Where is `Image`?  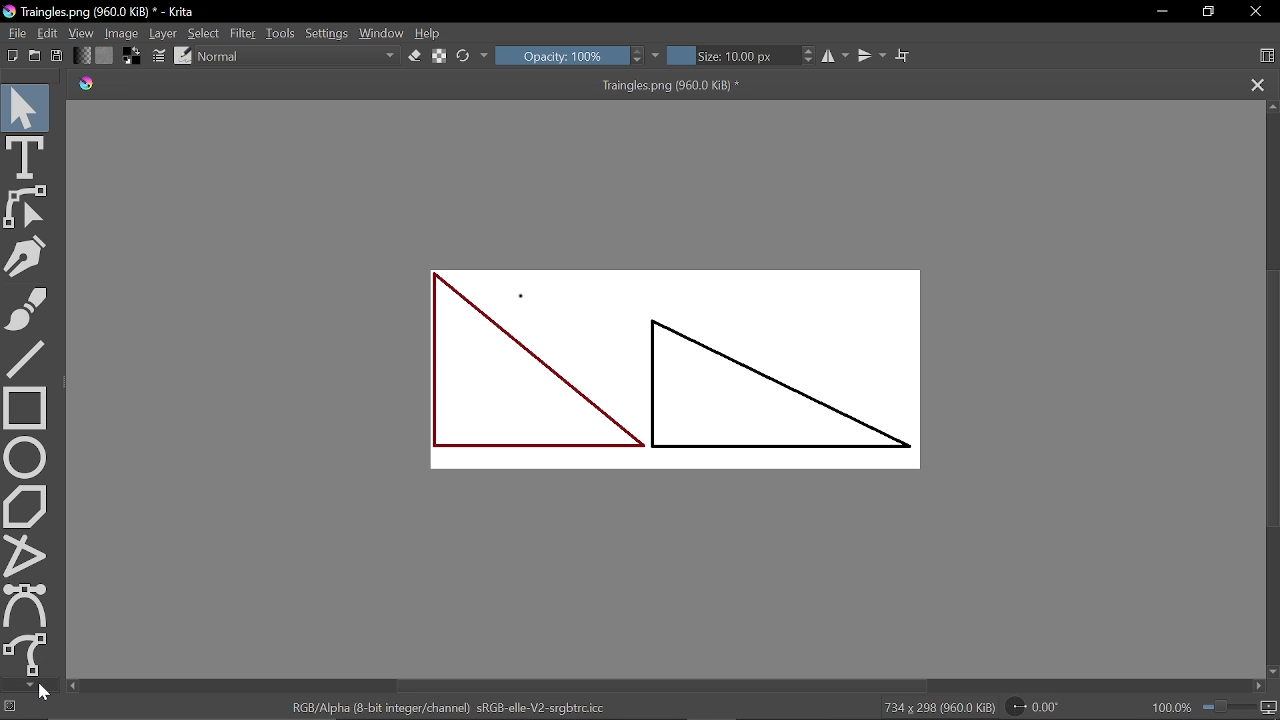
Image is located at coordinates (121, 33).